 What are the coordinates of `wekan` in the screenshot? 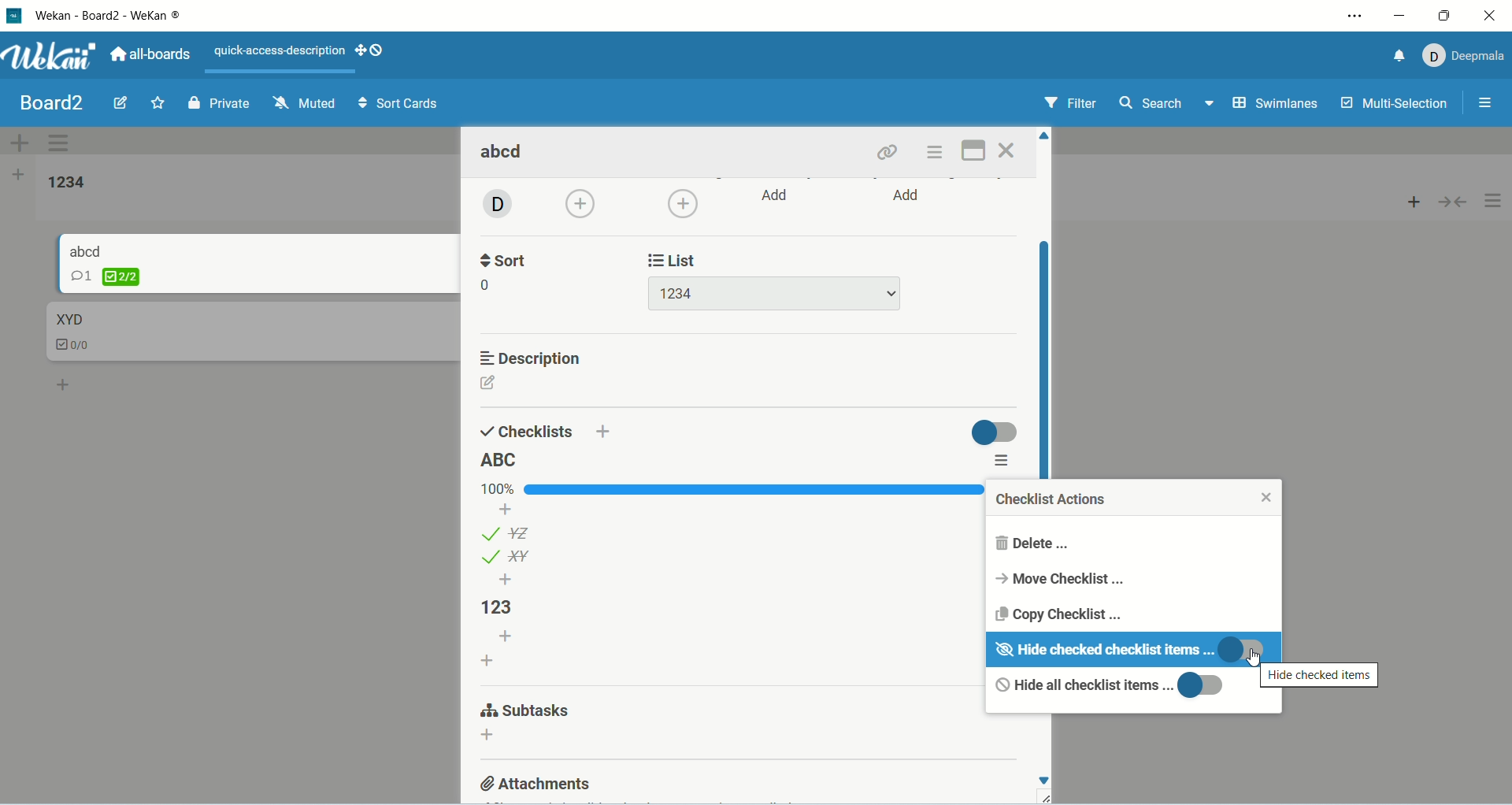 It's located at (50, 57).